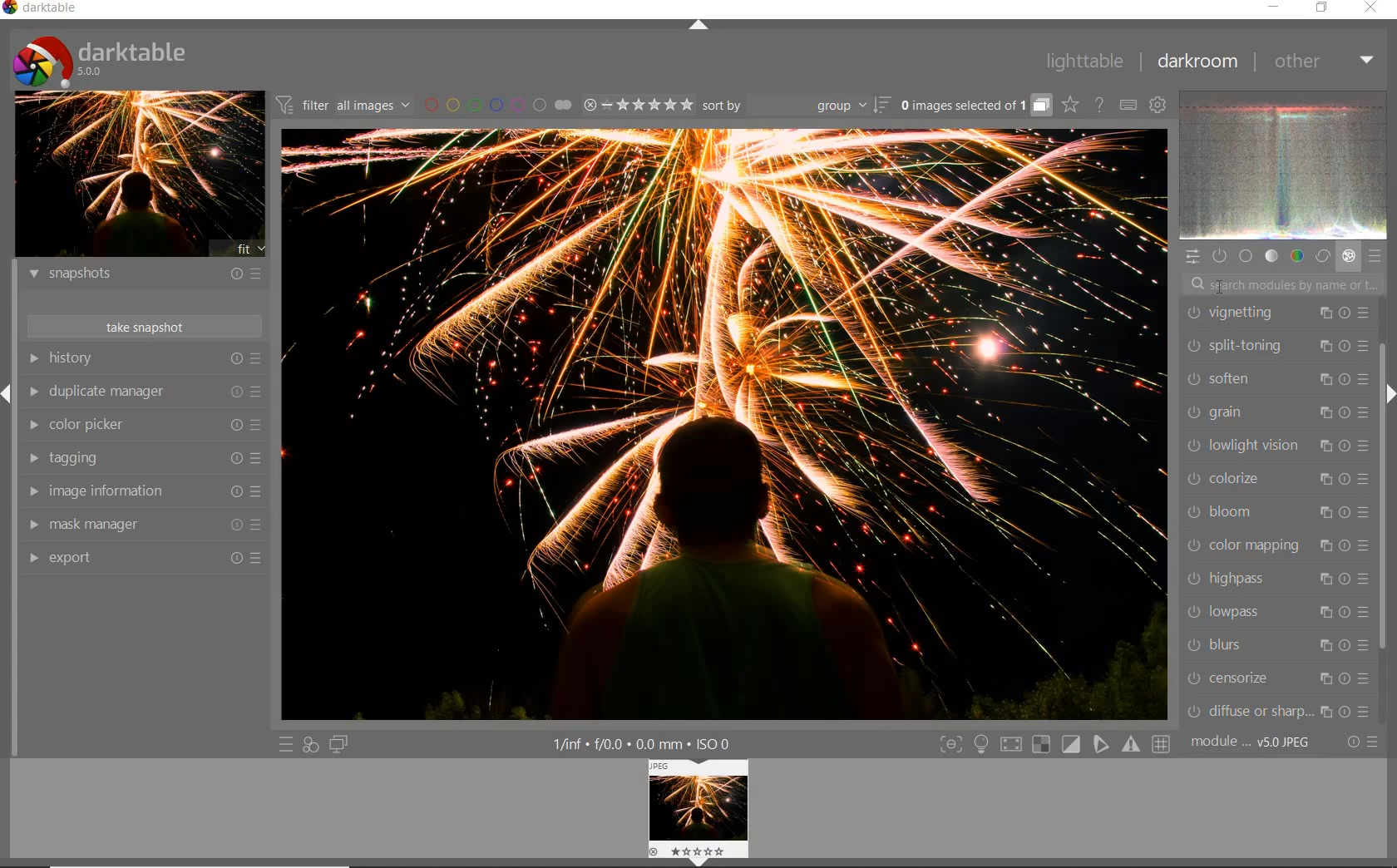 The image size is (1397, 868). What do you see at coordinates (343, 103) in the screenshot?
I see `filter all images by module order` at bounding box center [343, 103].